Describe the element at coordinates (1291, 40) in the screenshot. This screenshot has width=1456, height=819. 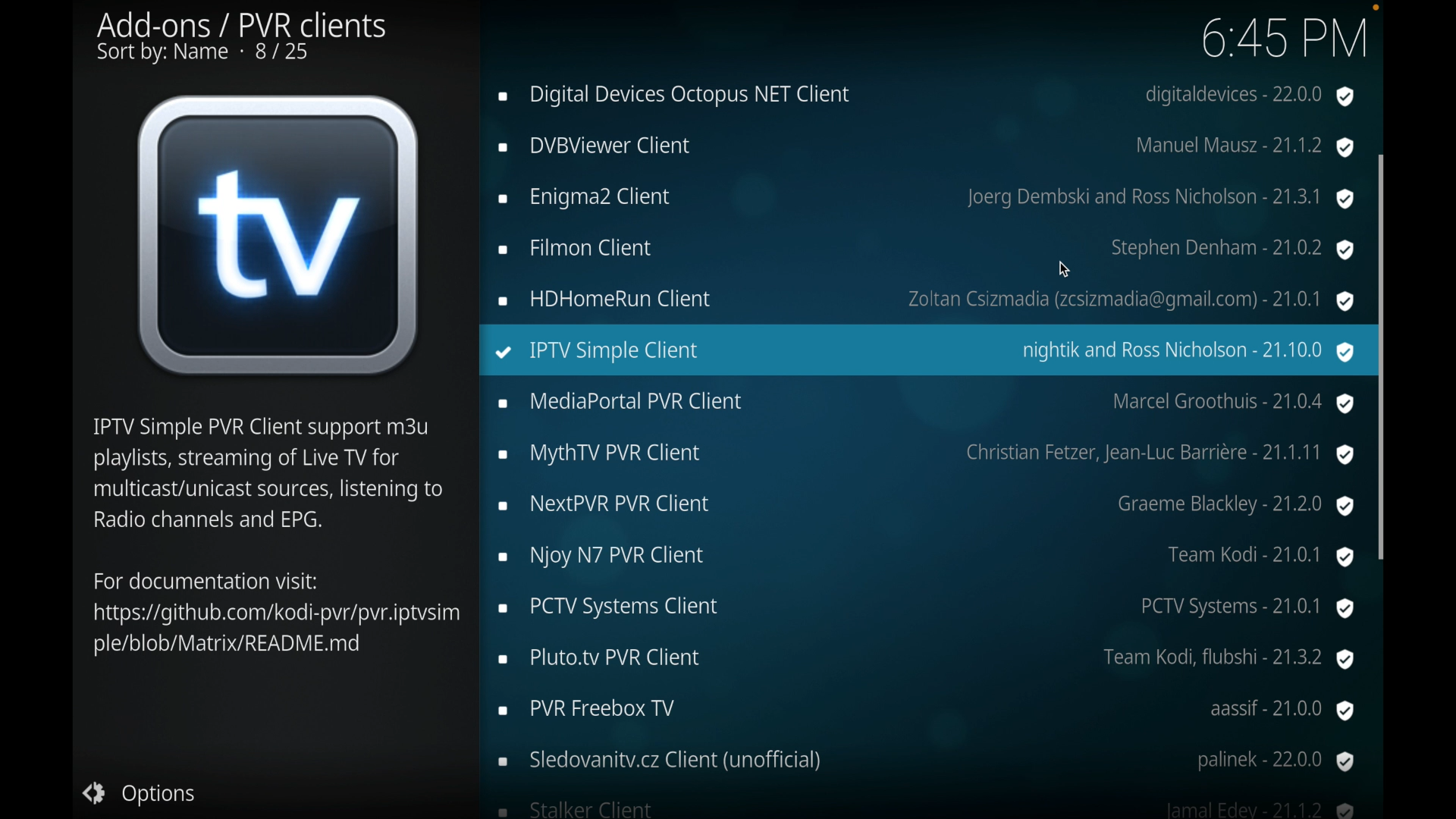
I see `6:44 PM` at that location.